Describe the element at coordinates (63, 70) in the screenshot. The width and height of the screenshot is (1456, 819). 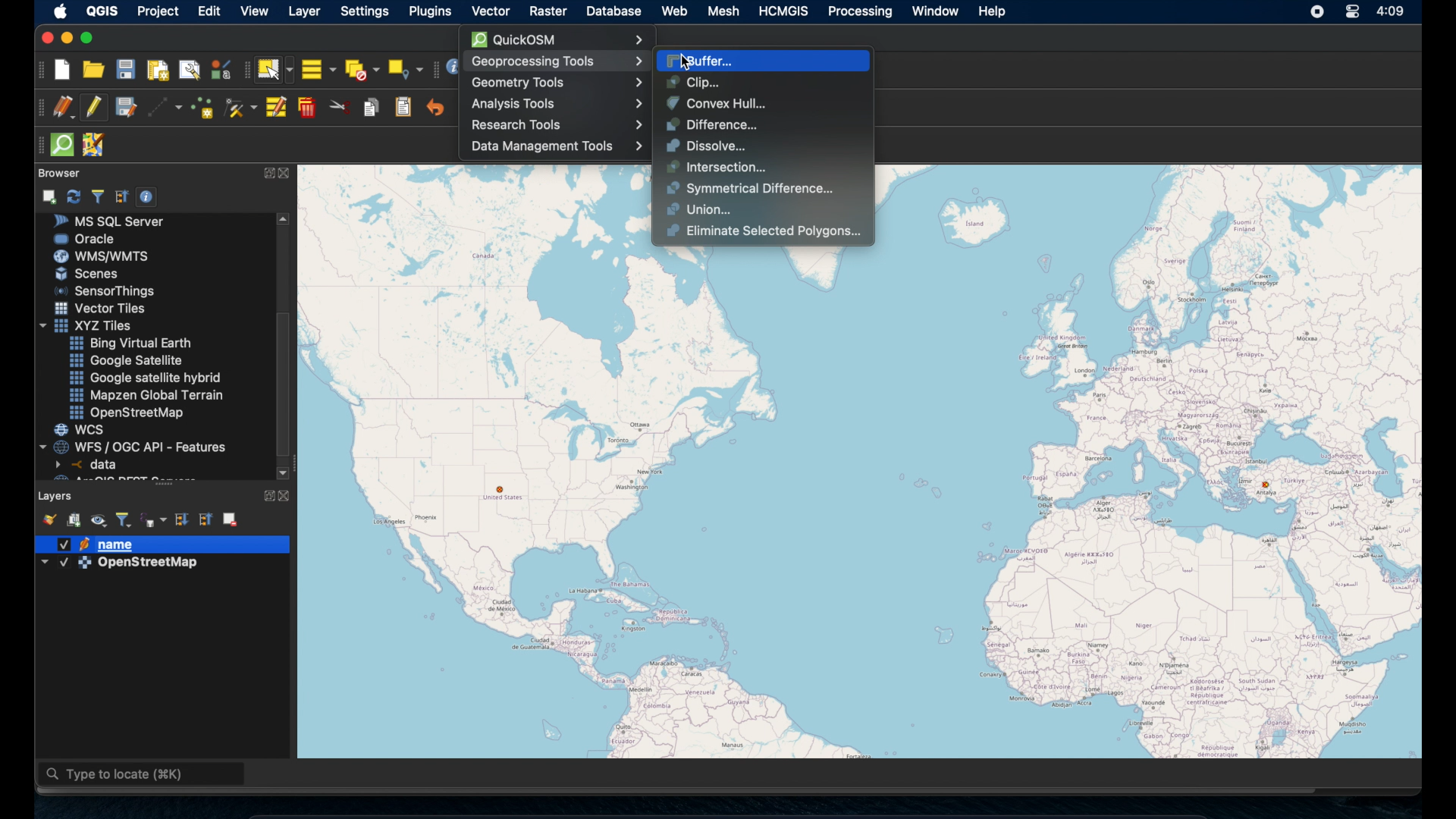
I see `new project` at that location.